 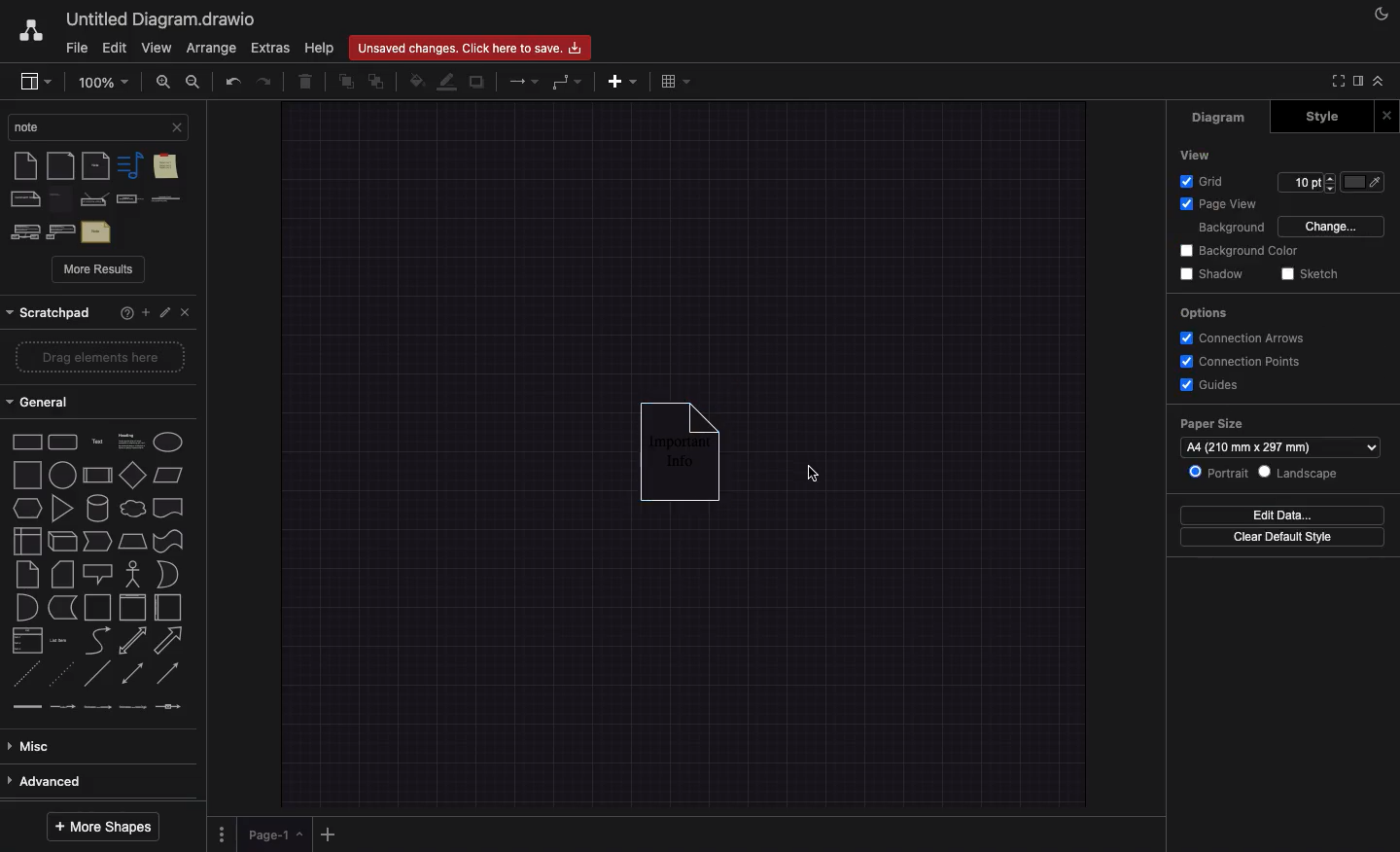 I want to click on Page view, so click(x=1222, y=202).